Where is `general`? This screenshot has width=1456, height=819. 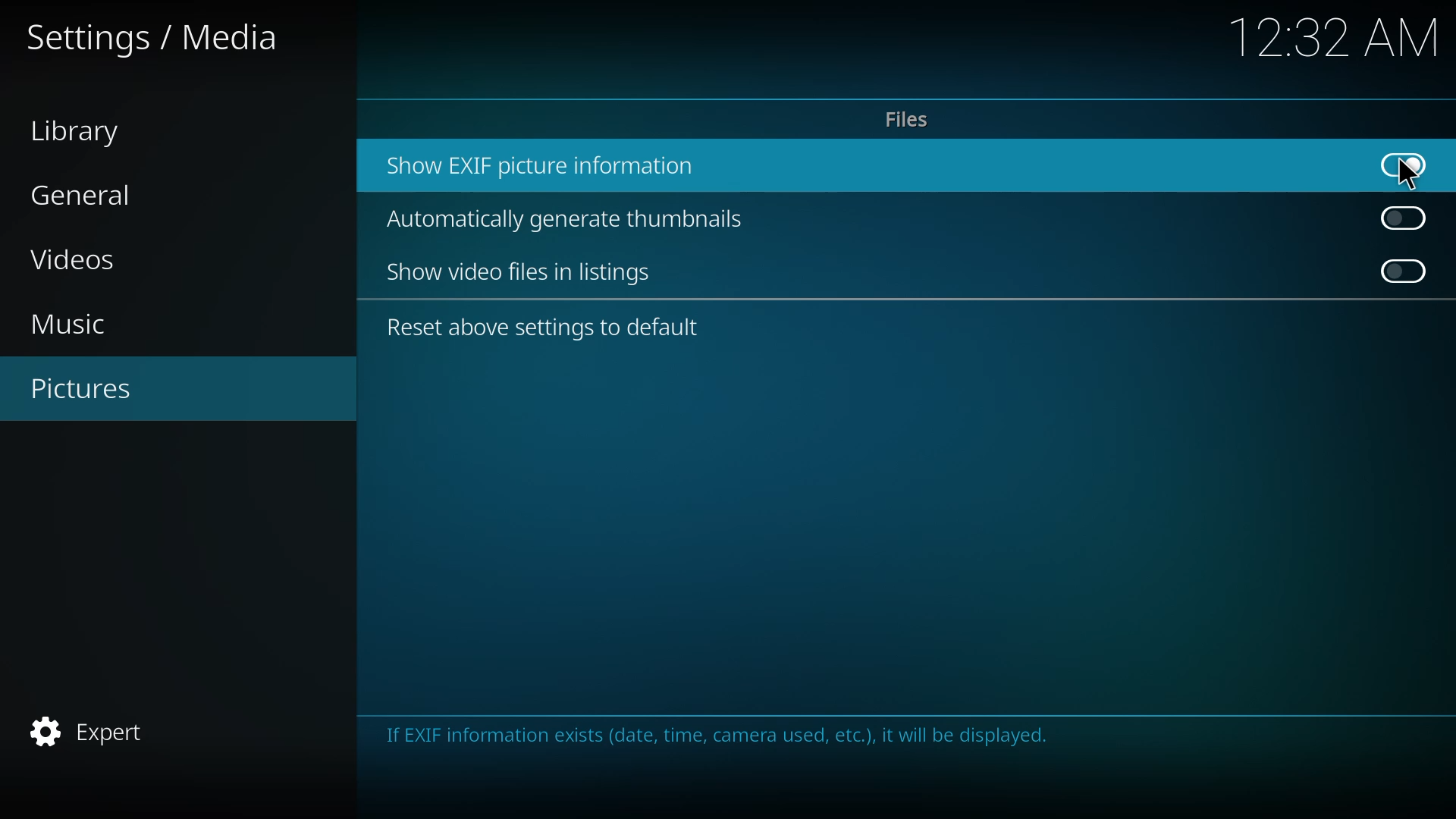
general is located at coordinates (83, 193).